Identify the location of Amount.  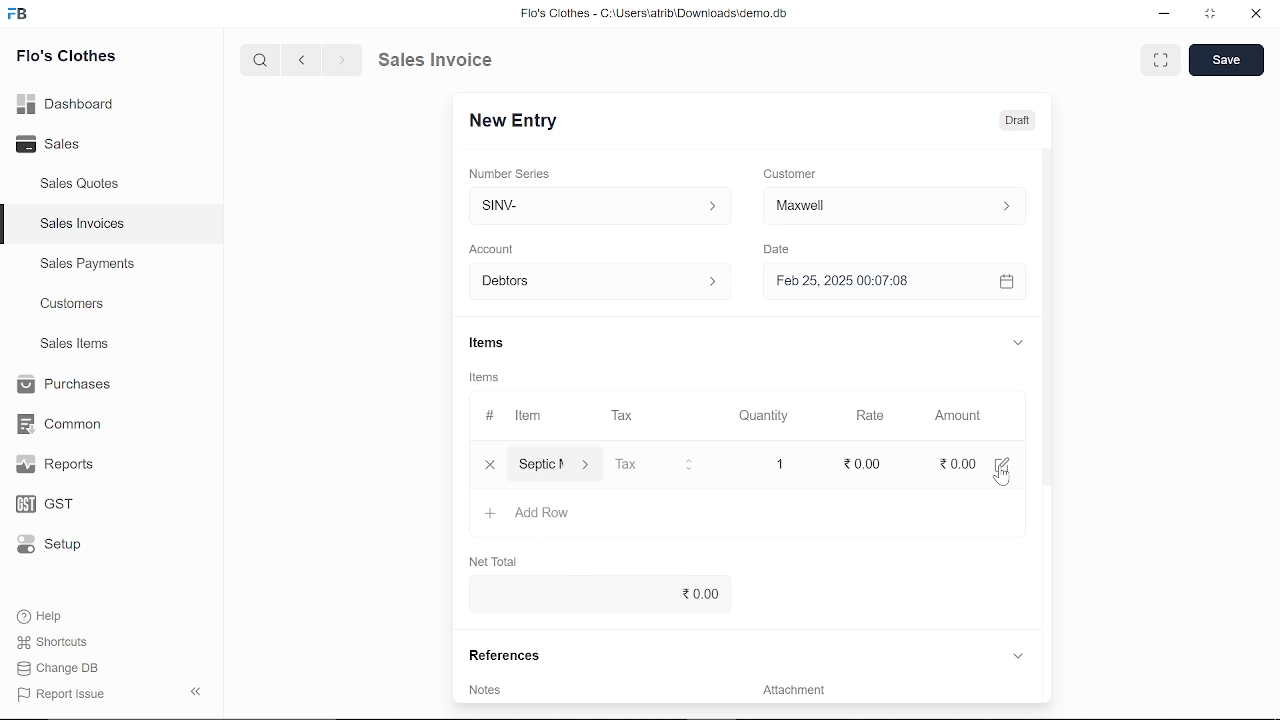
(957, 417).